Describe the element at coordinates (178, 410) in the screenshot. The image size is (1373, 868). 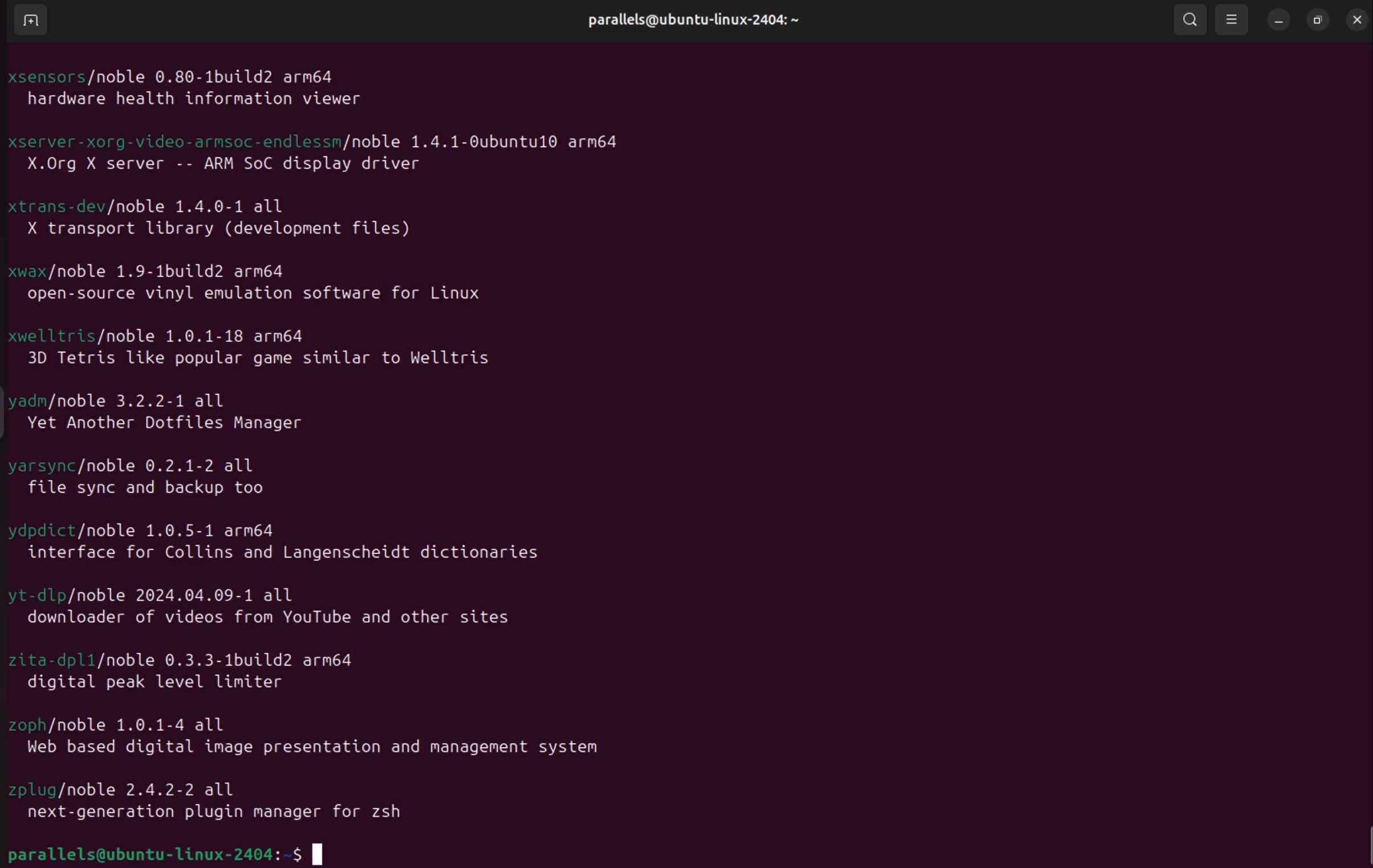
I see `yadm/noble 3.2.2-1 all
Yet Another Dotfiles Manager` at that location.